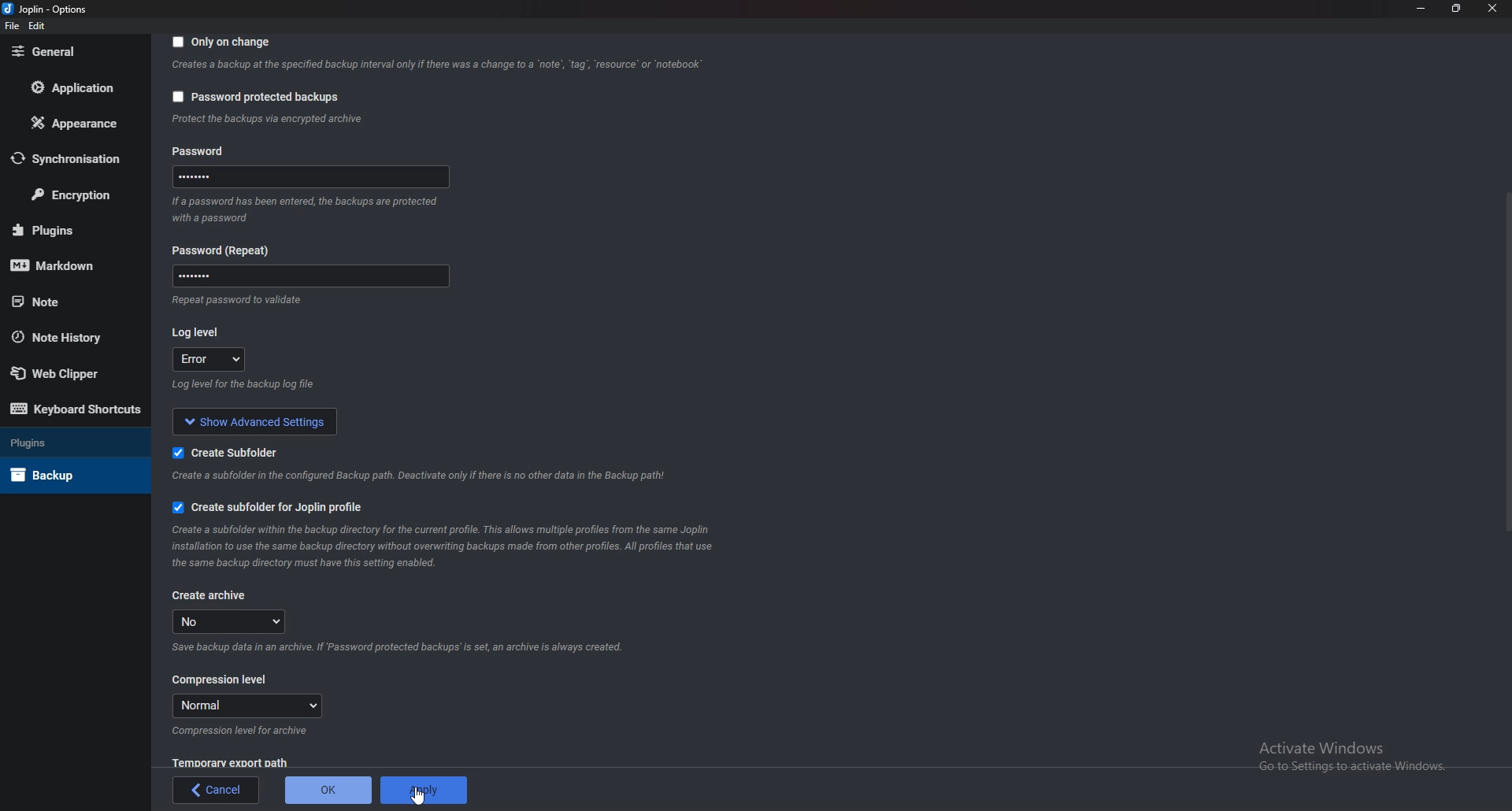  What do you see at coordinates (217, 790) in the screenshot?
I see `back` at bounding box center [217, 790].